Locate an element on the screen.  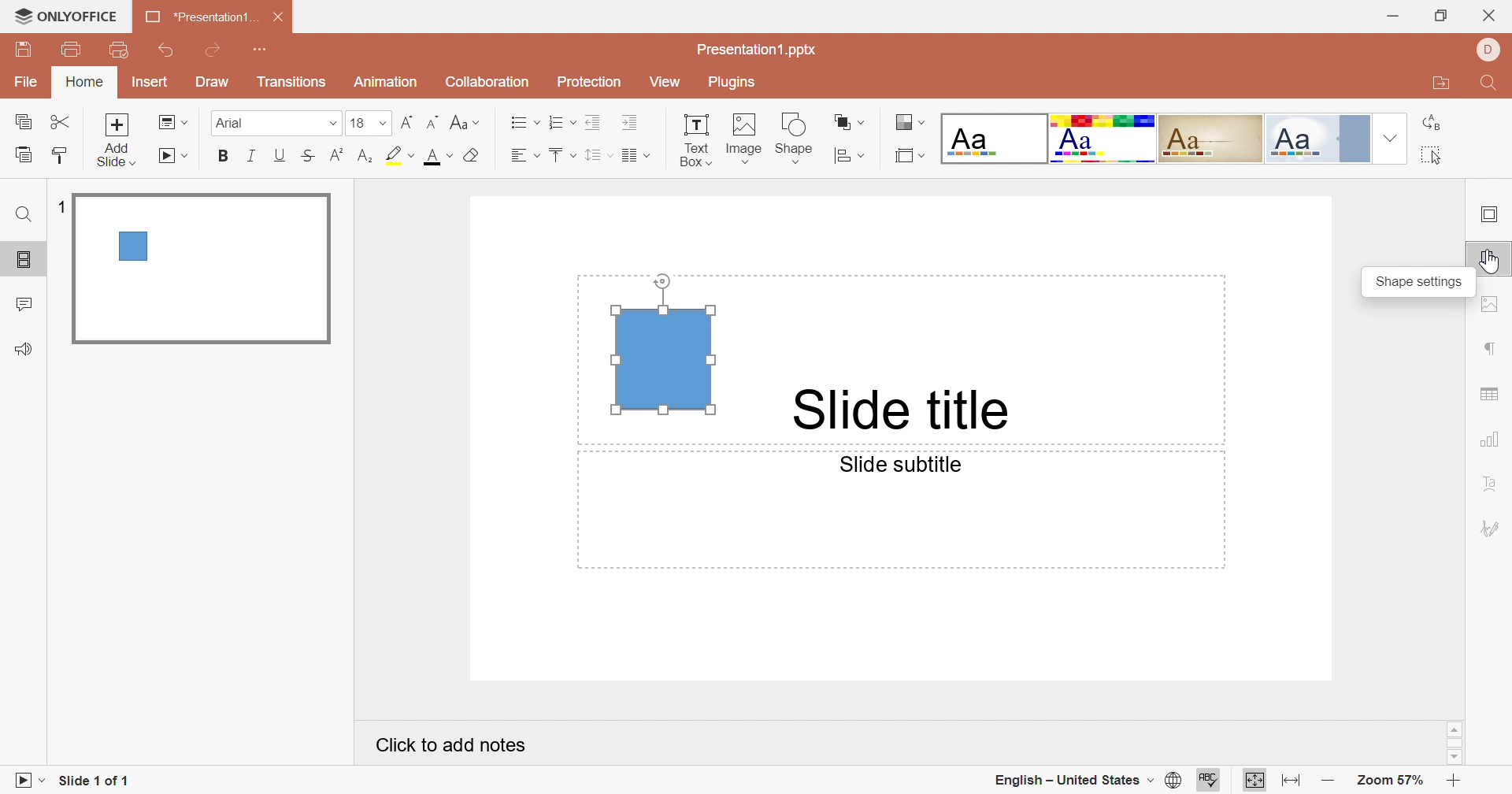
Highlight color is located at coordinates (398, 157).